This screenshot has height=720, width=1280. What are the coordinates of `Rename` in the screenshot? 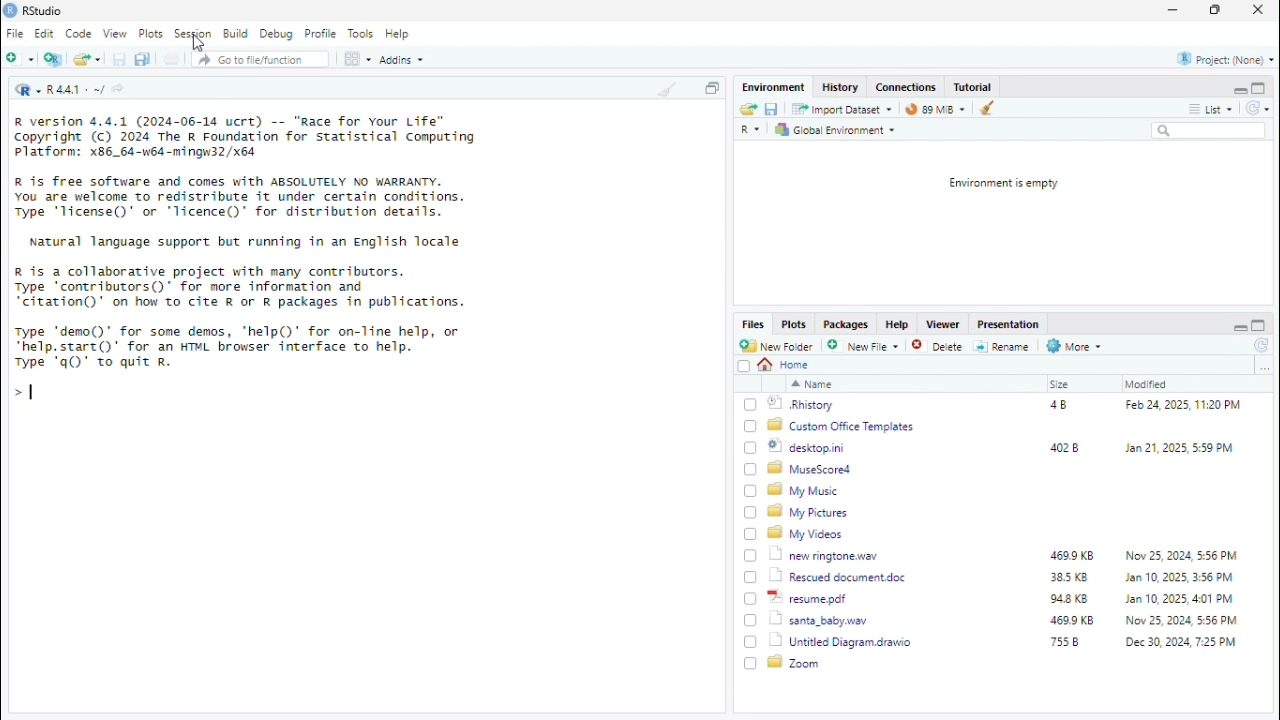 It's located at (1003, 347).